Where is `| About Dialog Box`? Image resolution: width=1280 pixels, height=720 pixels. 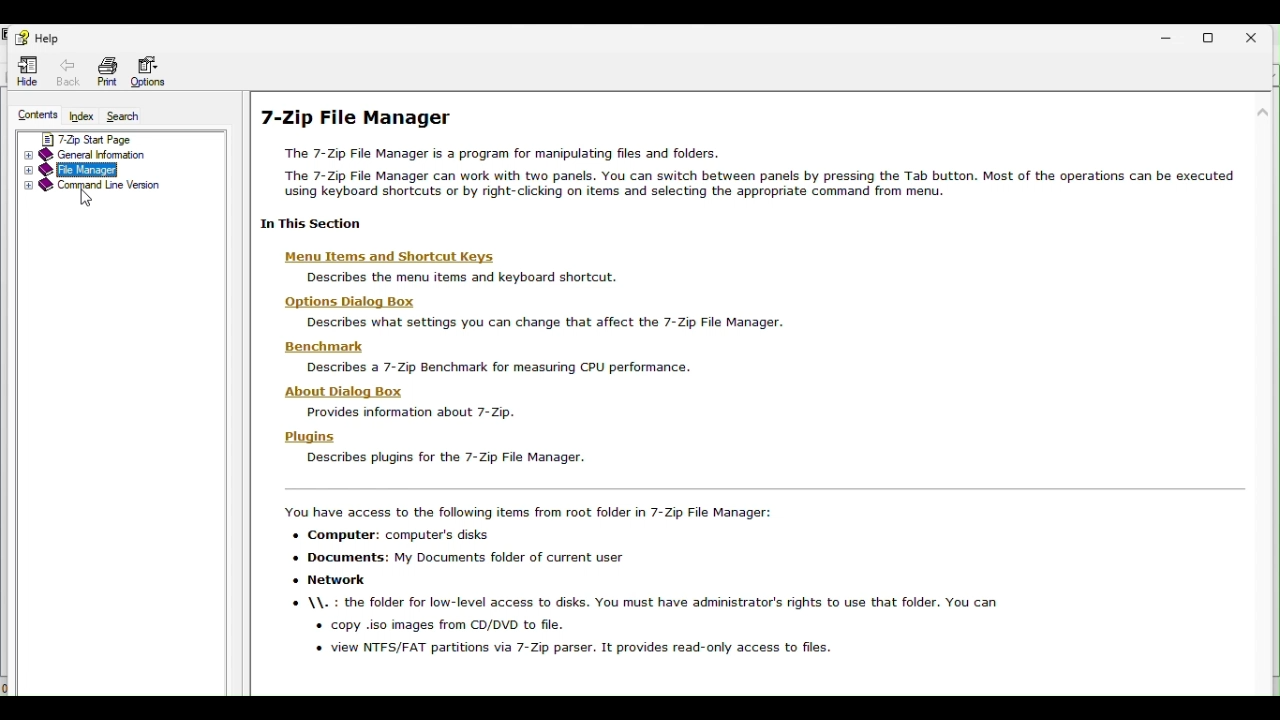 | About Dialog Box is located at coordinates (347, 392).